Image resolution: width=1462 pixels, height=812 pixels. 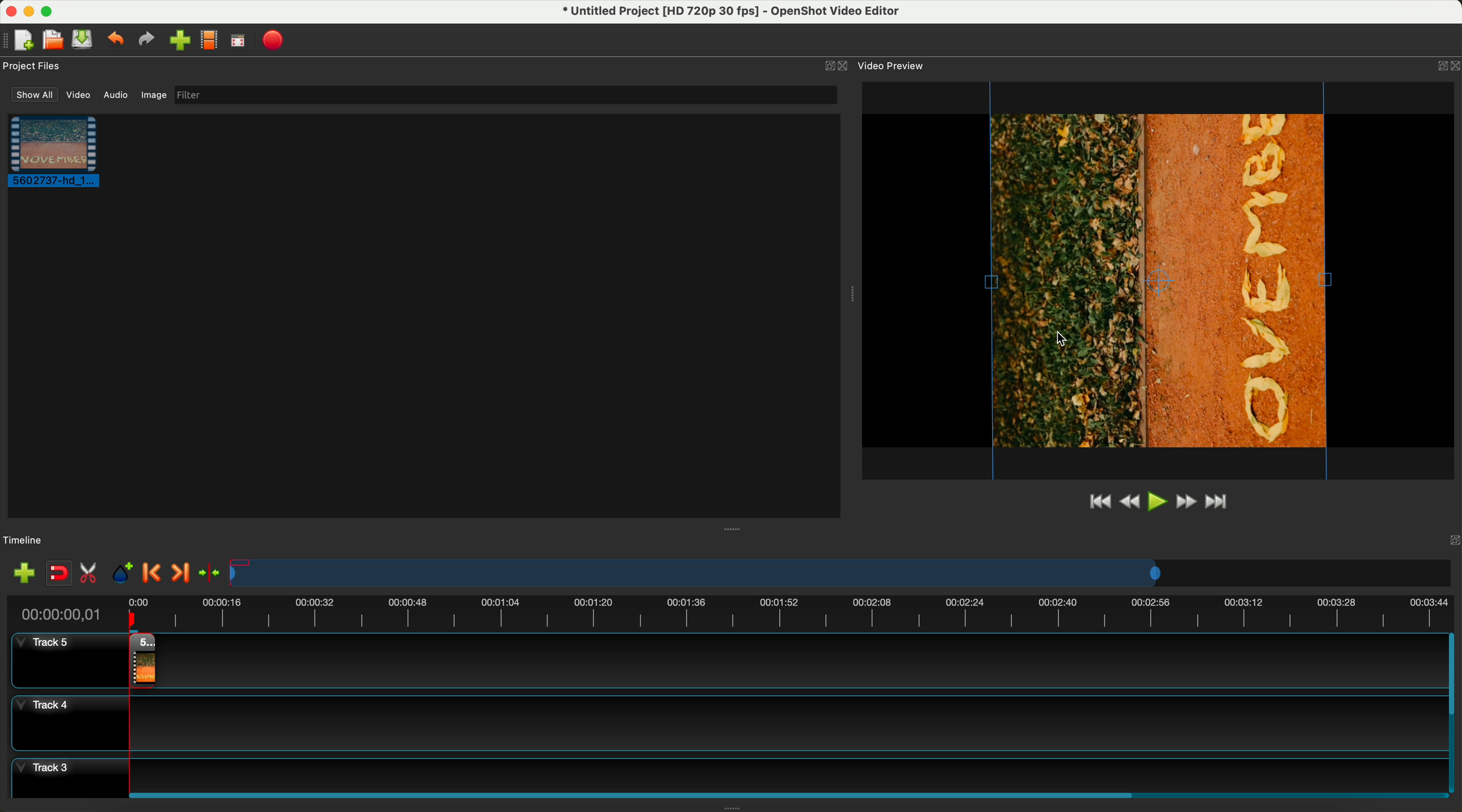 I want to click on cursor, so click(x=1062, y=339).